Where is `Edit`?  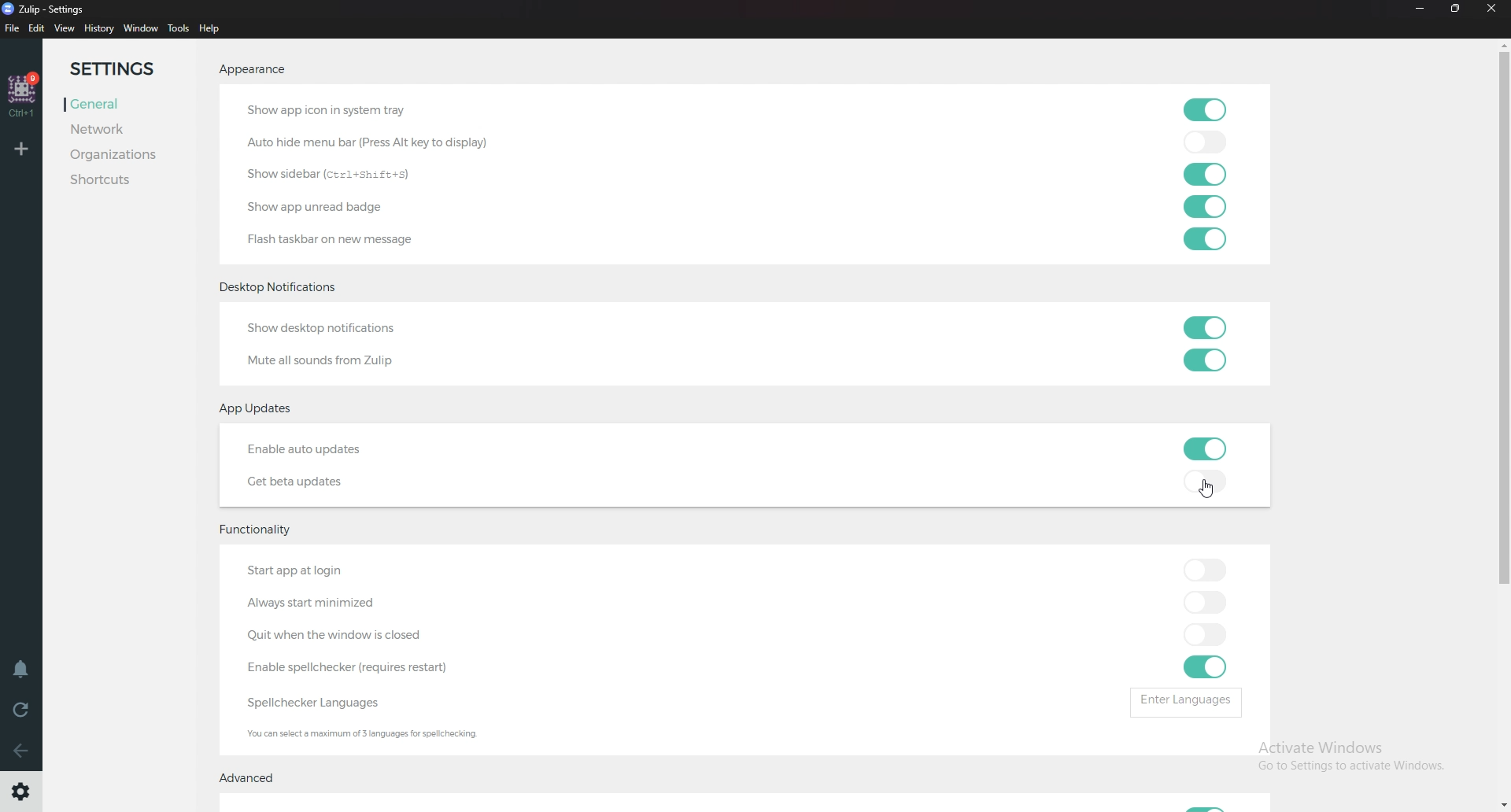 Edit is located at coordinates (38, 30).